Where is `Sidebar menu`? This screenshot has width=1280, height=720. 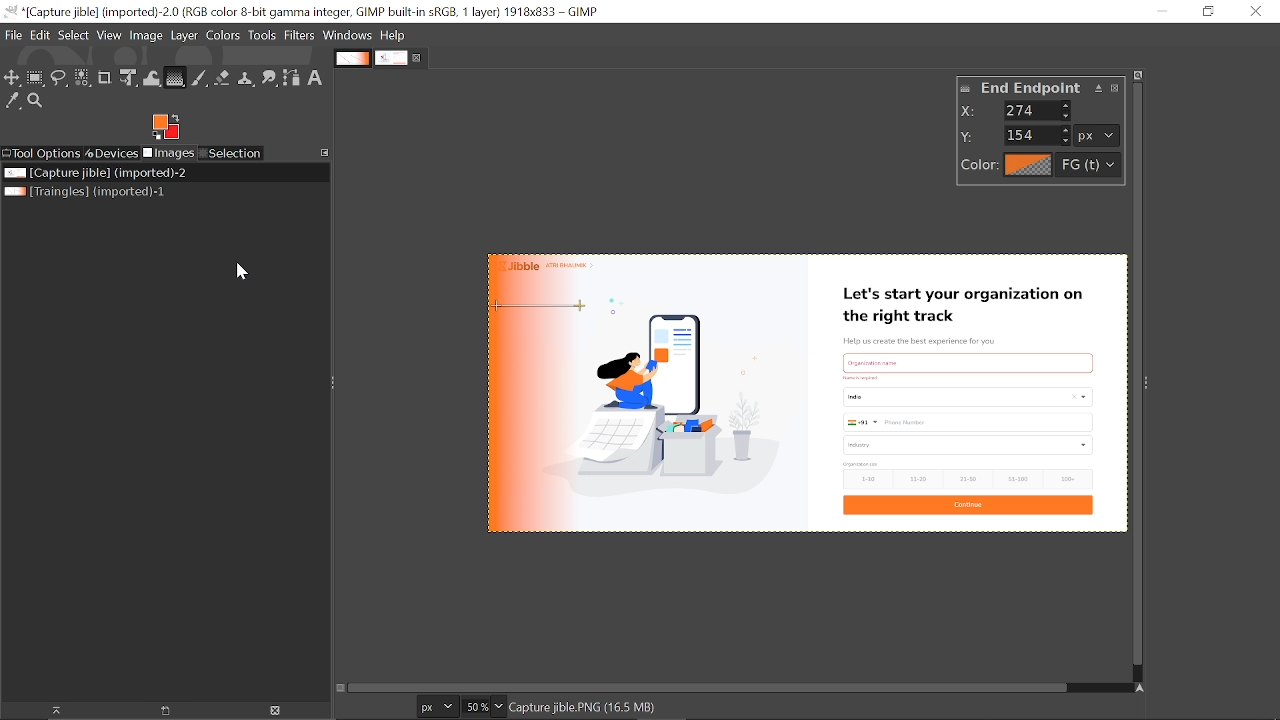 Sidebar menu is located at coordinates (1152, 379).